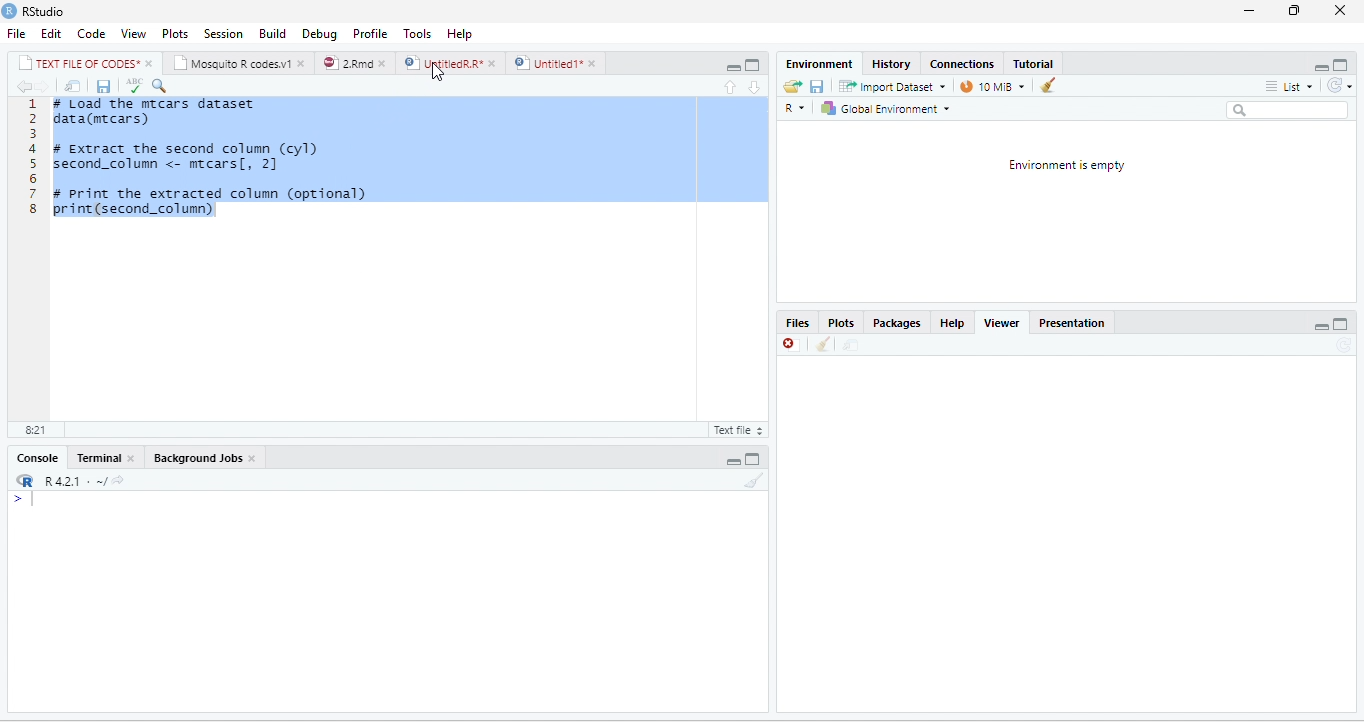 The image size is (1364, 722). Describe the element at coordinates (893, 86) in the screenshot. I see ` Import Dataset ` at that location.